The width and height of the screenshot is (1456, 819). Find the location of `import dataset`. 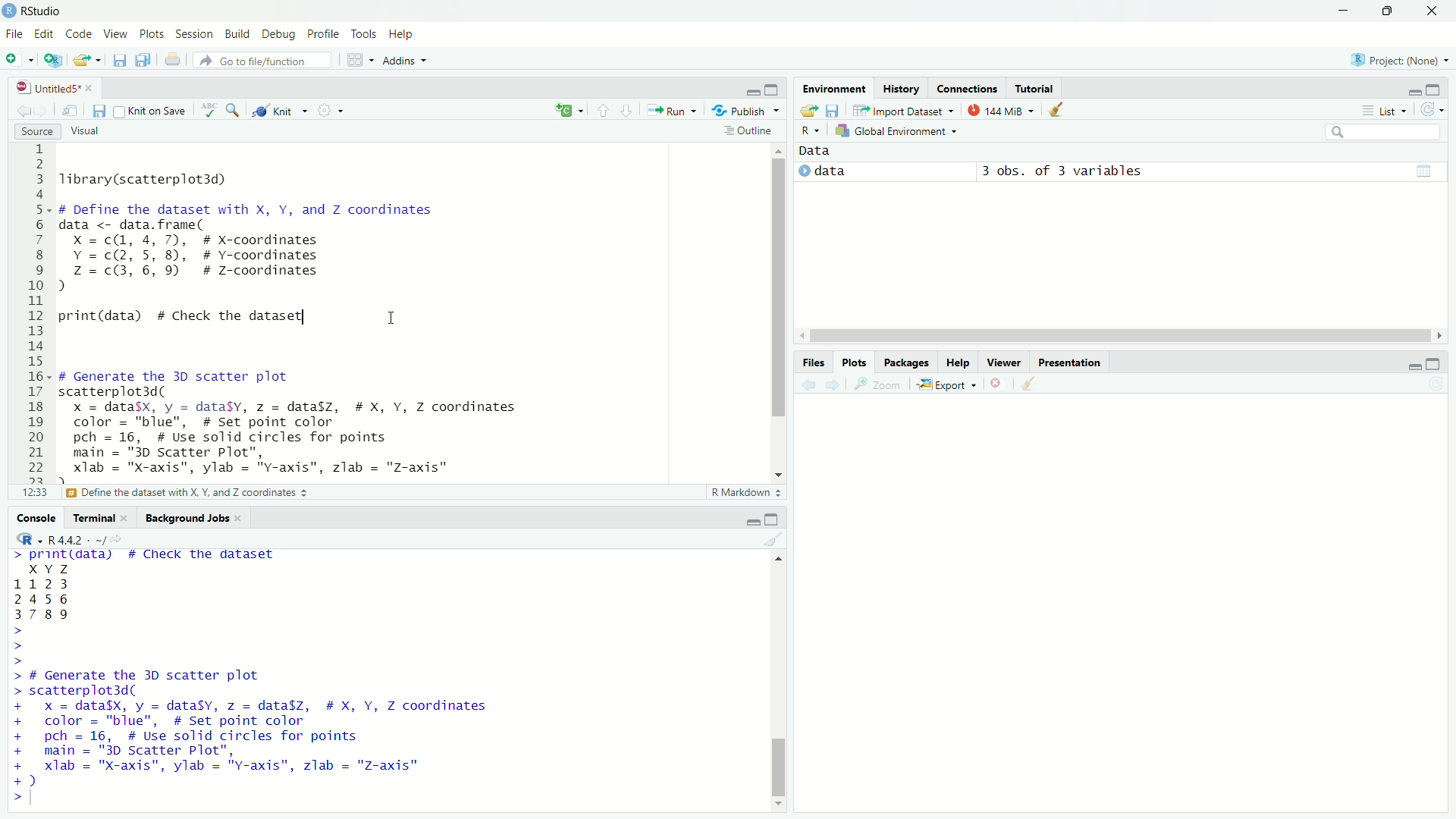

import dataset is located at coordinates (903, 110).